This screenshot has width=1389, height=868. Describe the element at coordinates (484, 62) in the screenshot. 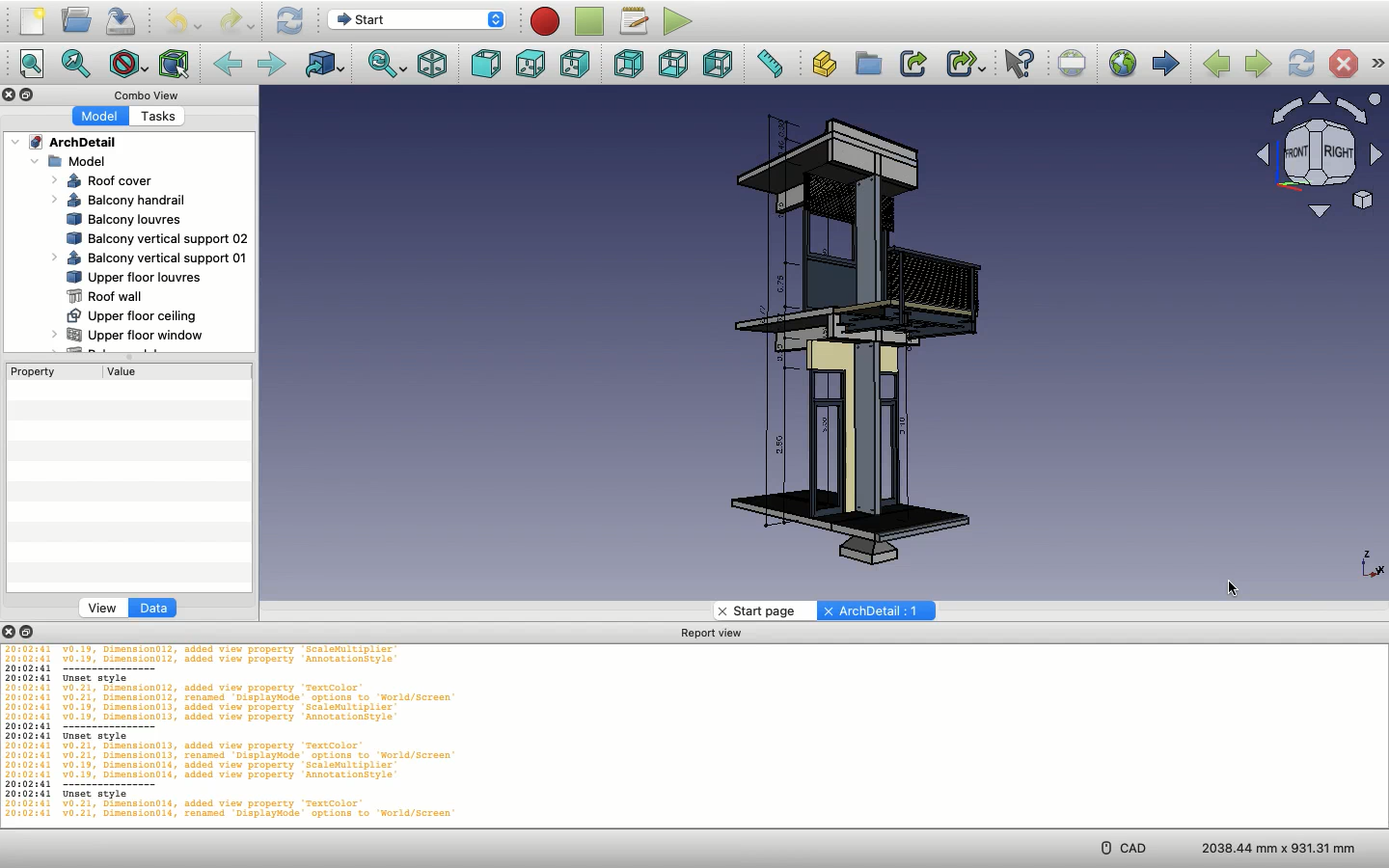

I see `Front` at that location.